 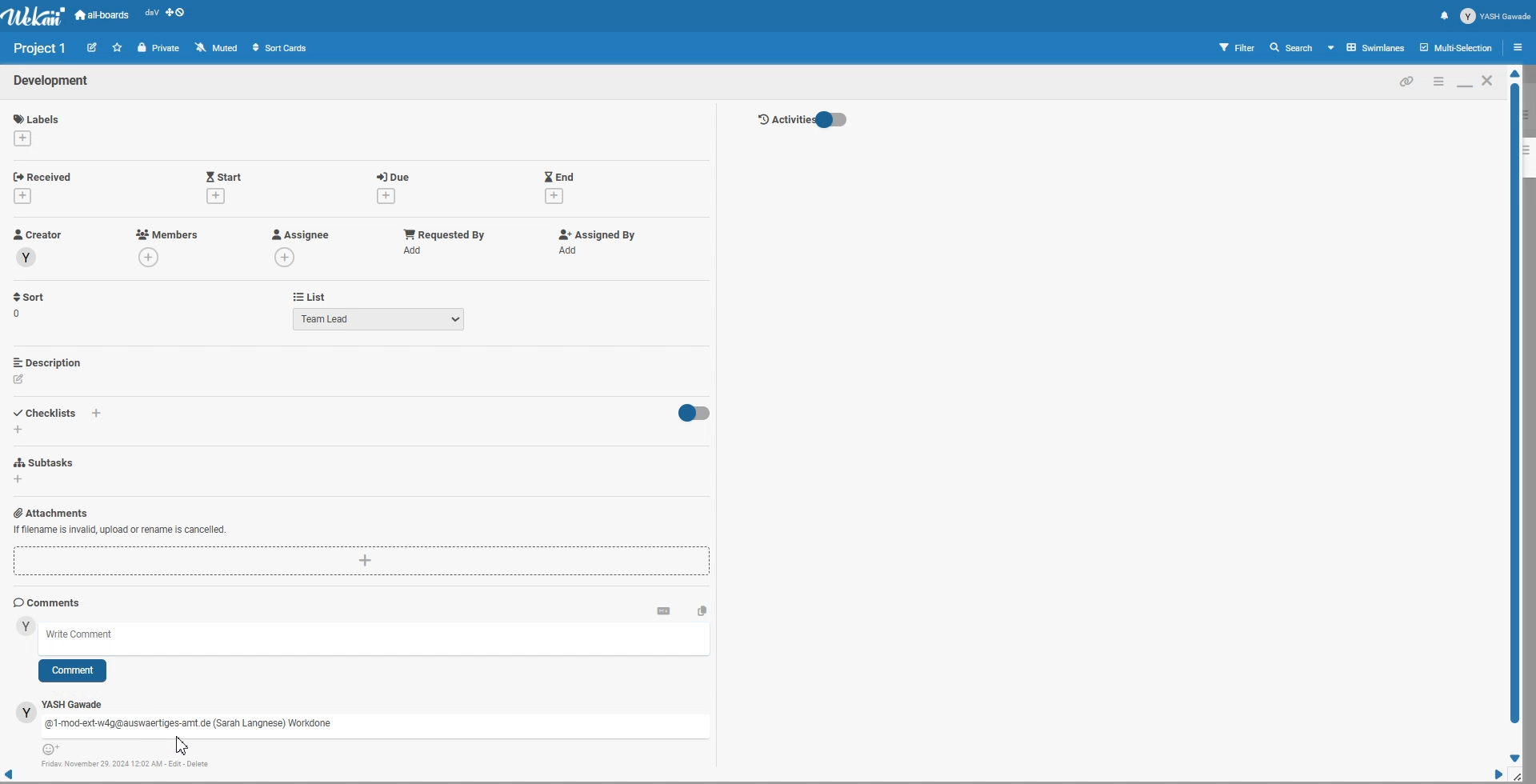 What do you see at coordinates (299, 234) in the screenshot?
I see `Add Assignee` at bounding box center [299, 234].